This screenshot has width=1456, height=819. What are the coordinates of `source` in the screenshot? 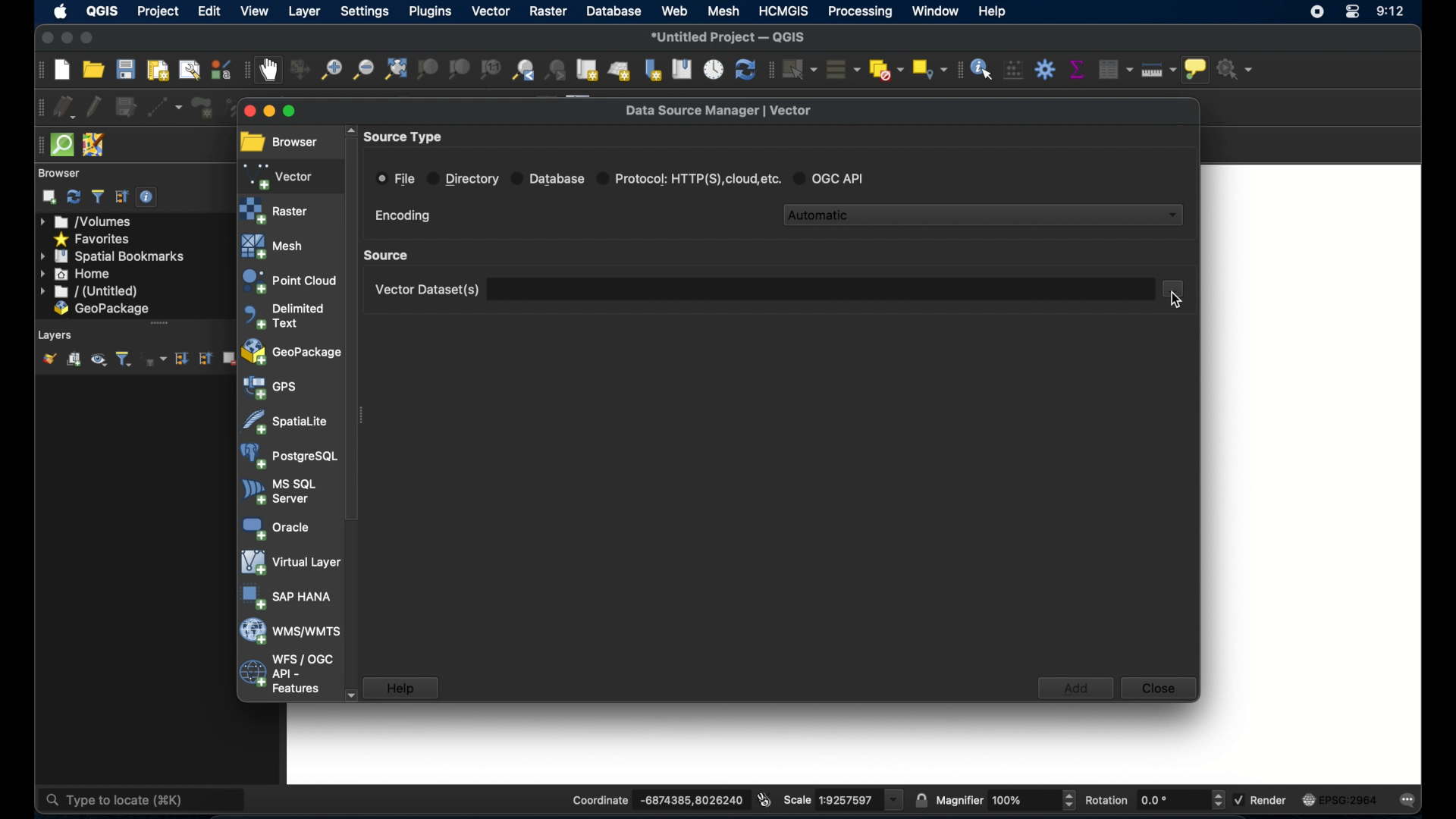 It's located at (389, 255).